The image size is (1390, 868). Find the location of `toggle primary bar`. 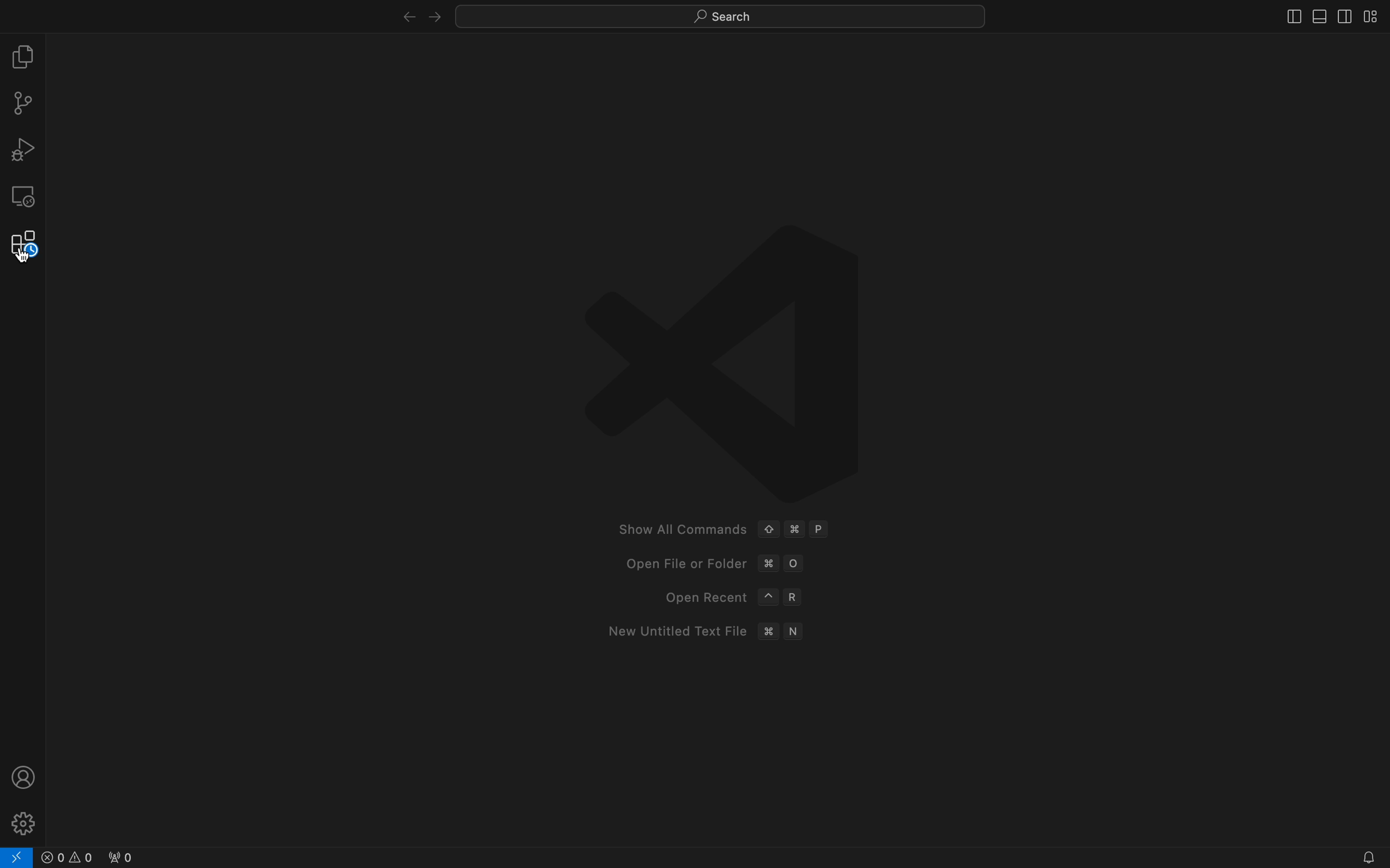

toggle primary bar is located at coordinates (1316, 14).